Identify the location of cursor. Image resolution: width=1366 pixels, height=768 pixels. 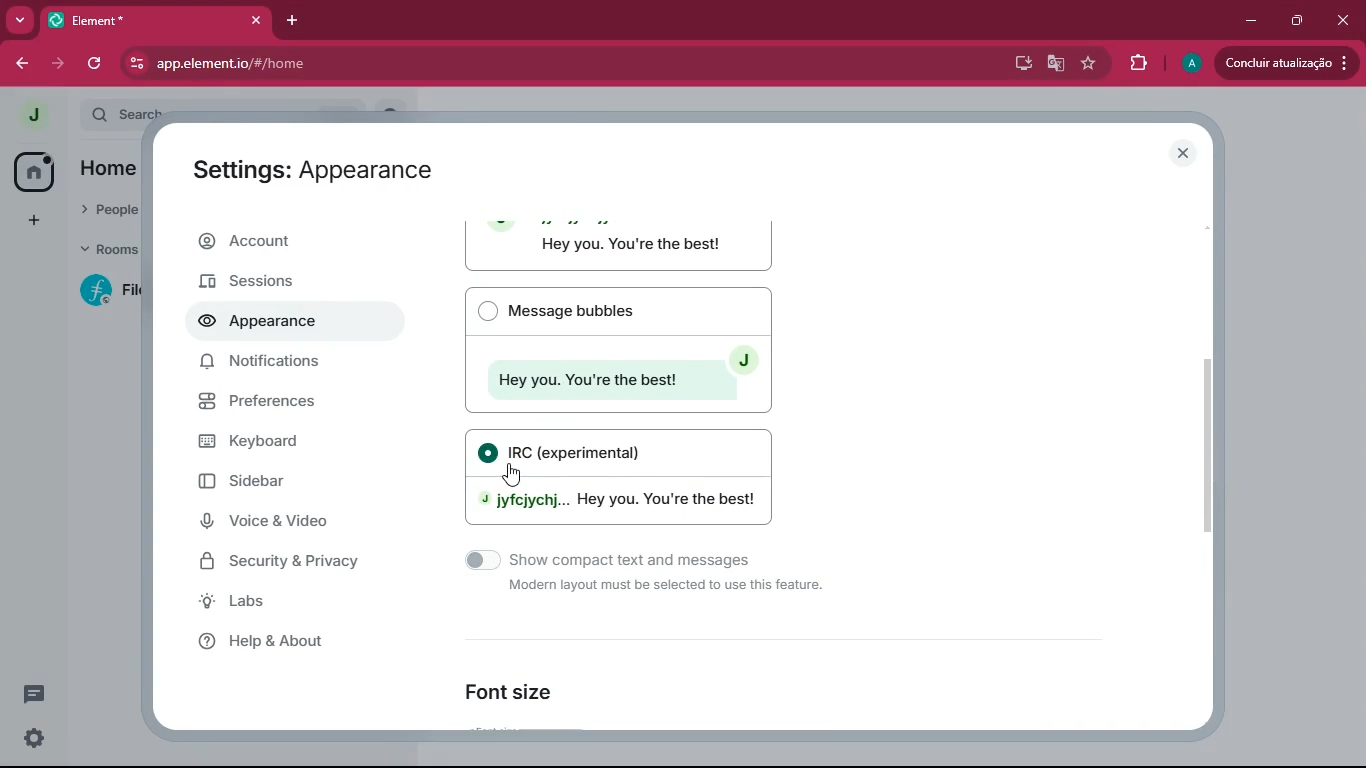
(513, 474).